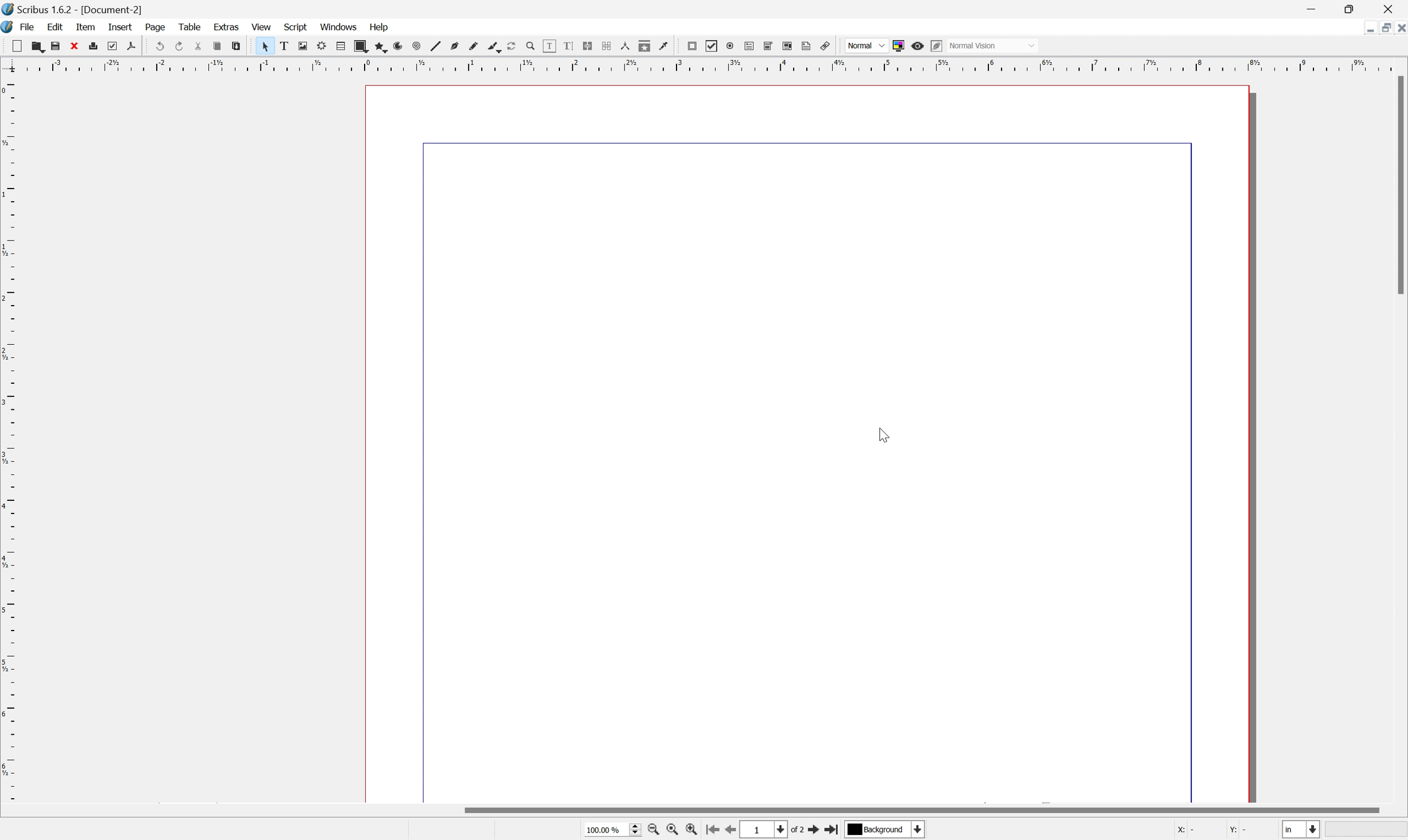 The width and height of the screenshot is (1408, 840). I want to click on Edit contents of frame, so click(549, 45).